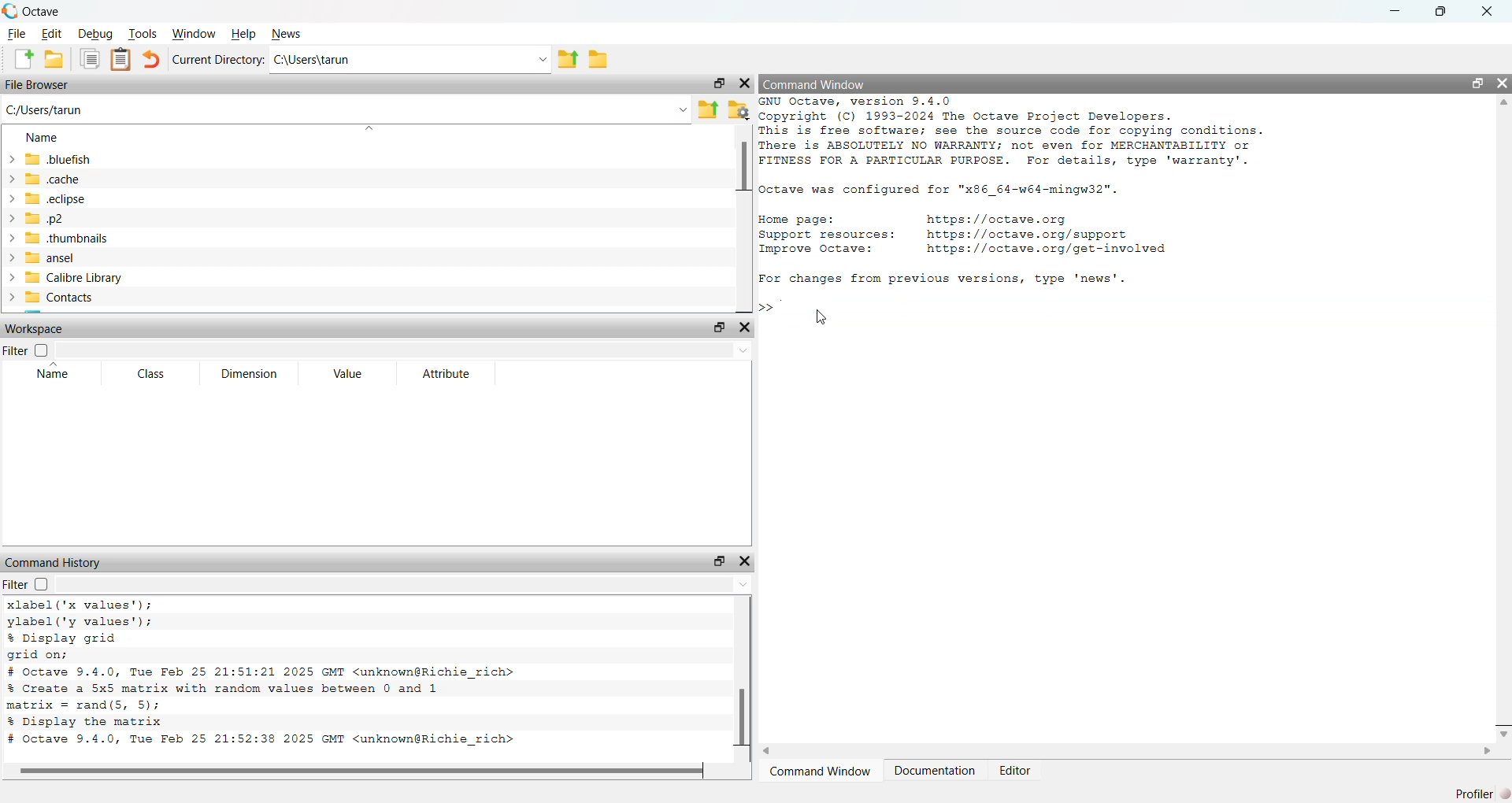  What do you see at coordinates (538, 58) in the screenshot?
I see `drop down` at bounding box center [538, 58].